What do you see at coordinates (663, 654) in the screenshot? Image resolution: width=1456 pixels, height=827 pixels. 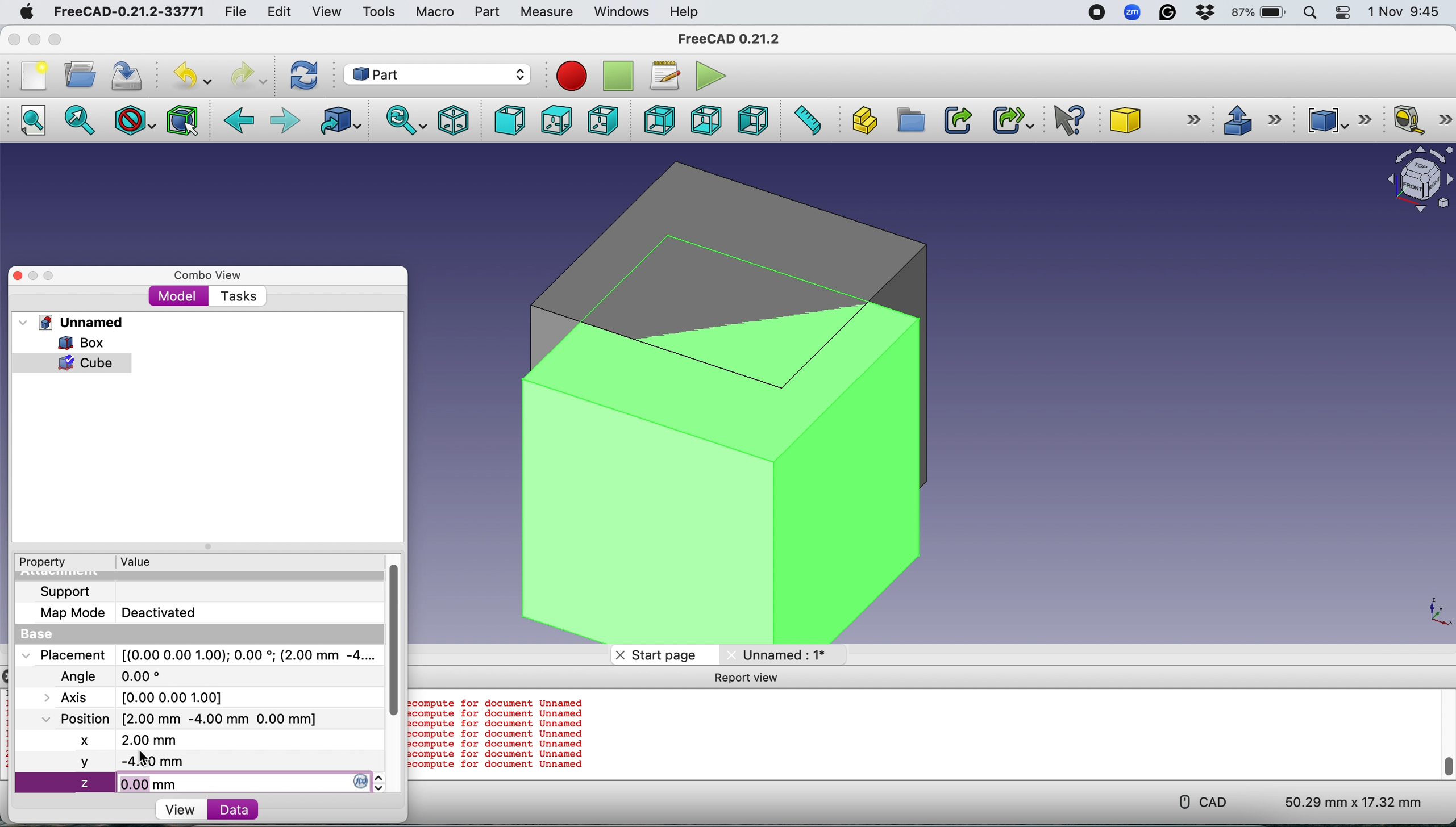 I see `Start page` at bounding box center [663, 654].